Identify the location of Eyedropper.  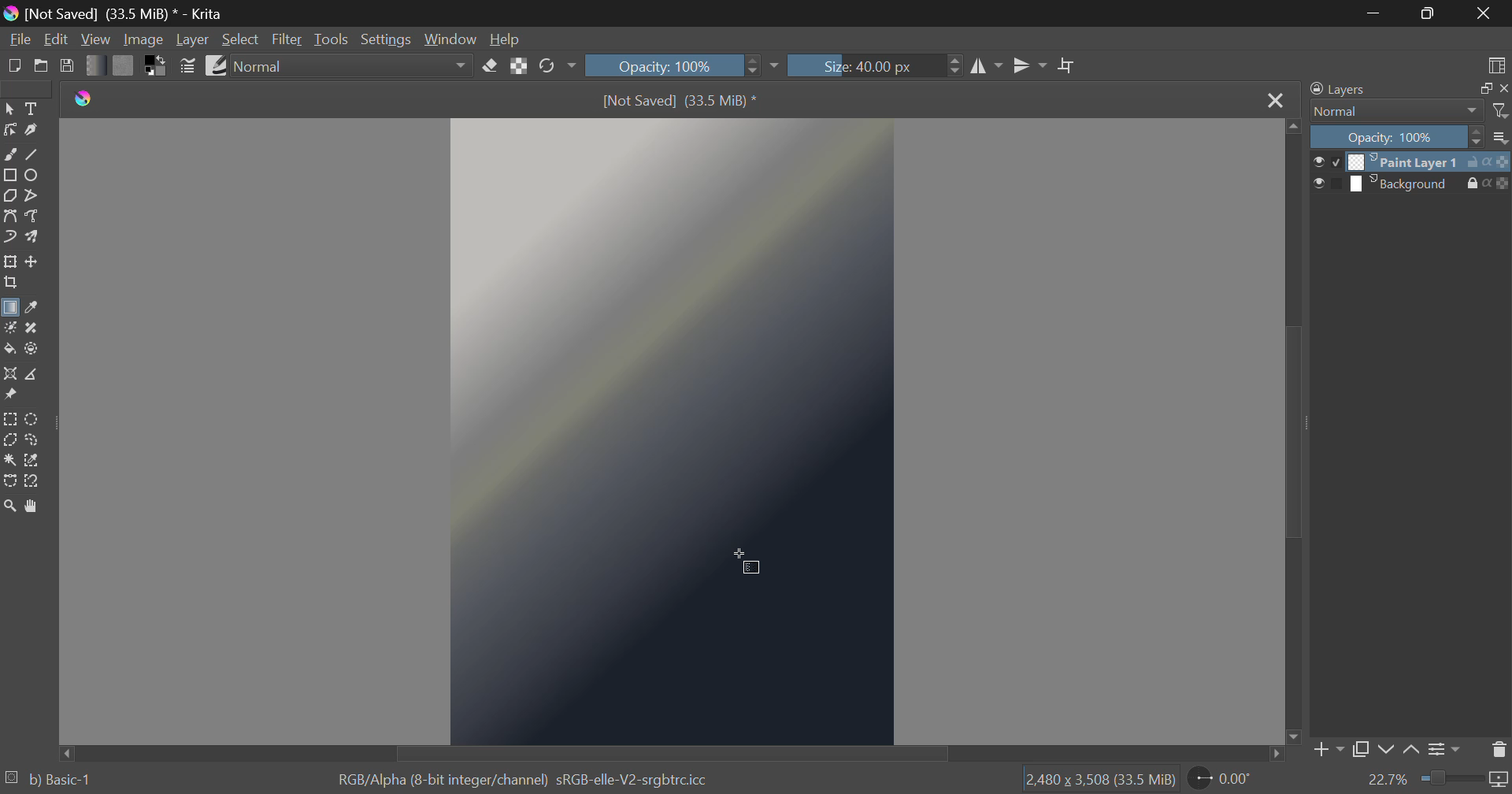
(30, 309).